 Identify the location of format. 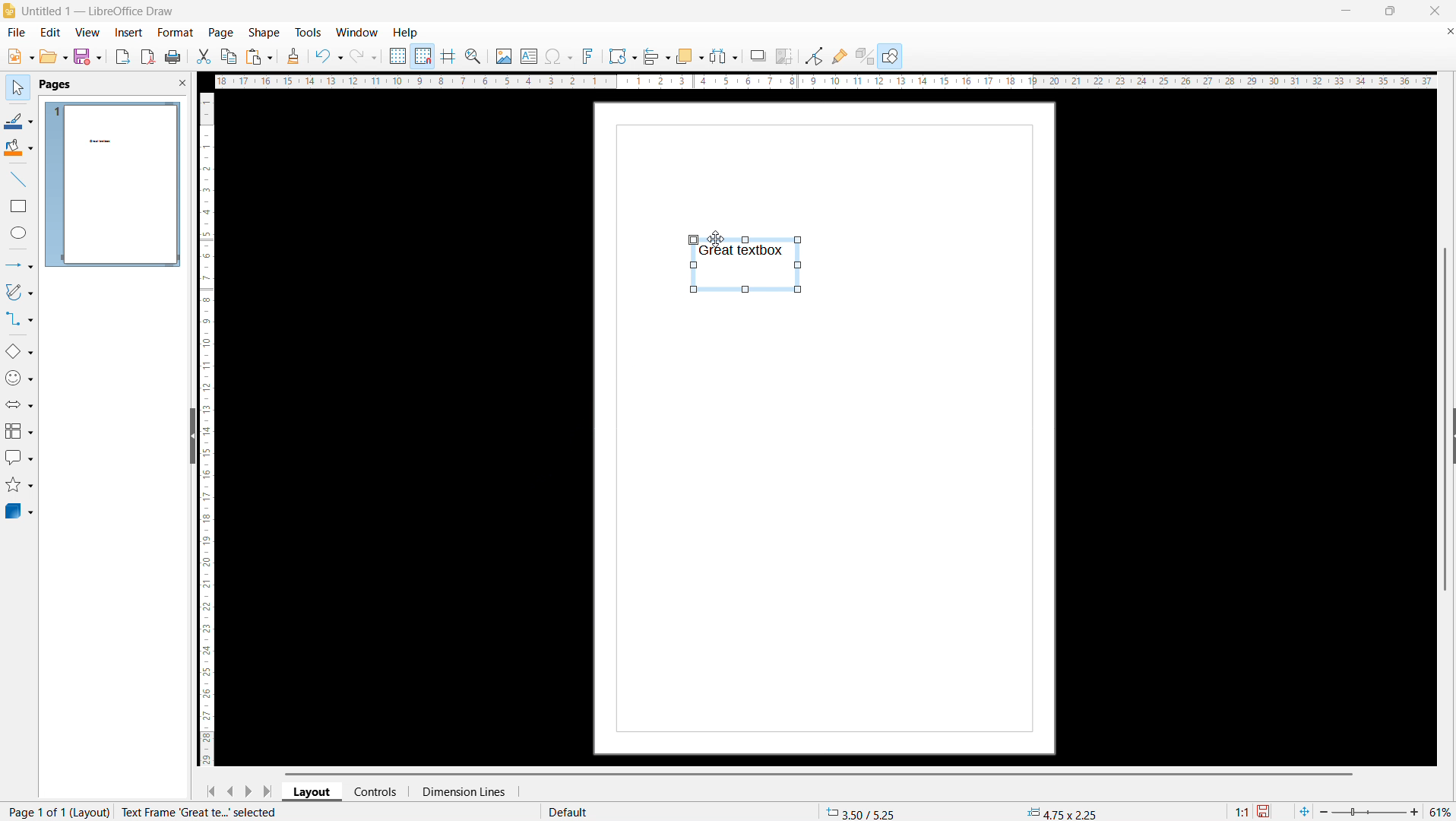
(174, 32).